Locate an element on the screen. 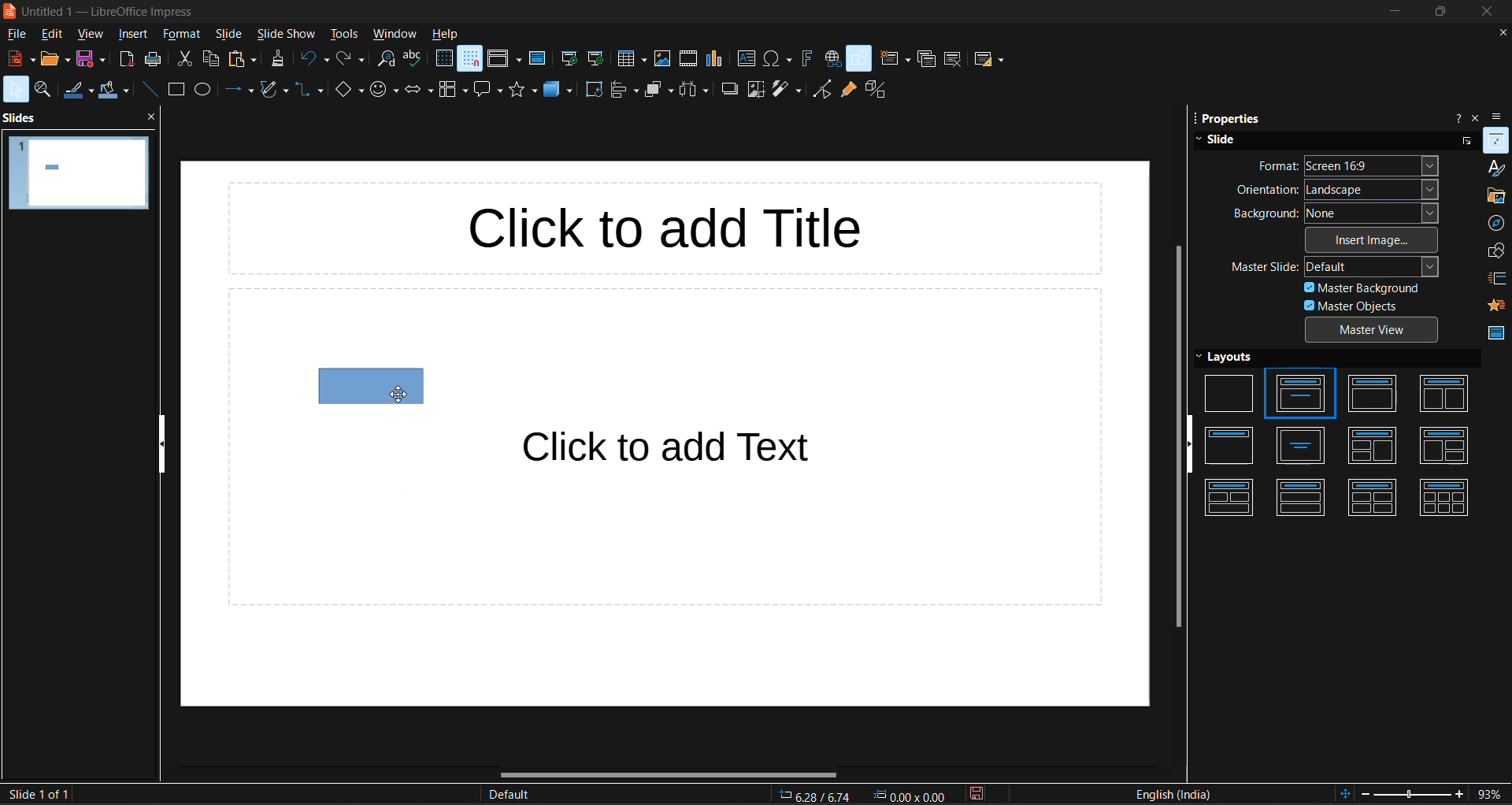  new slide is located at coordinates (895, 57).